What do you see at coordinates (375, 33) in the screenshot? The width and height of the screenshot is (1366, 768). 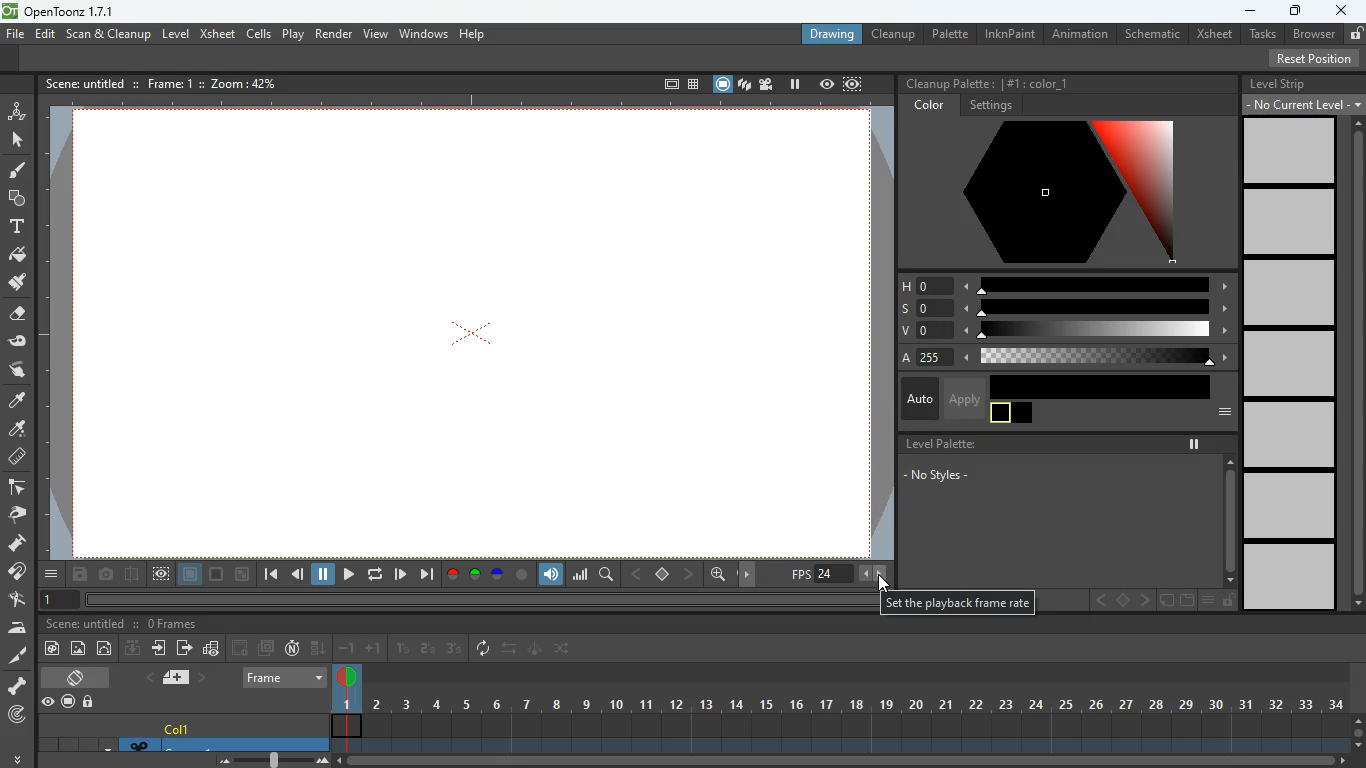 I see `view` at bounding box center [375, 33].